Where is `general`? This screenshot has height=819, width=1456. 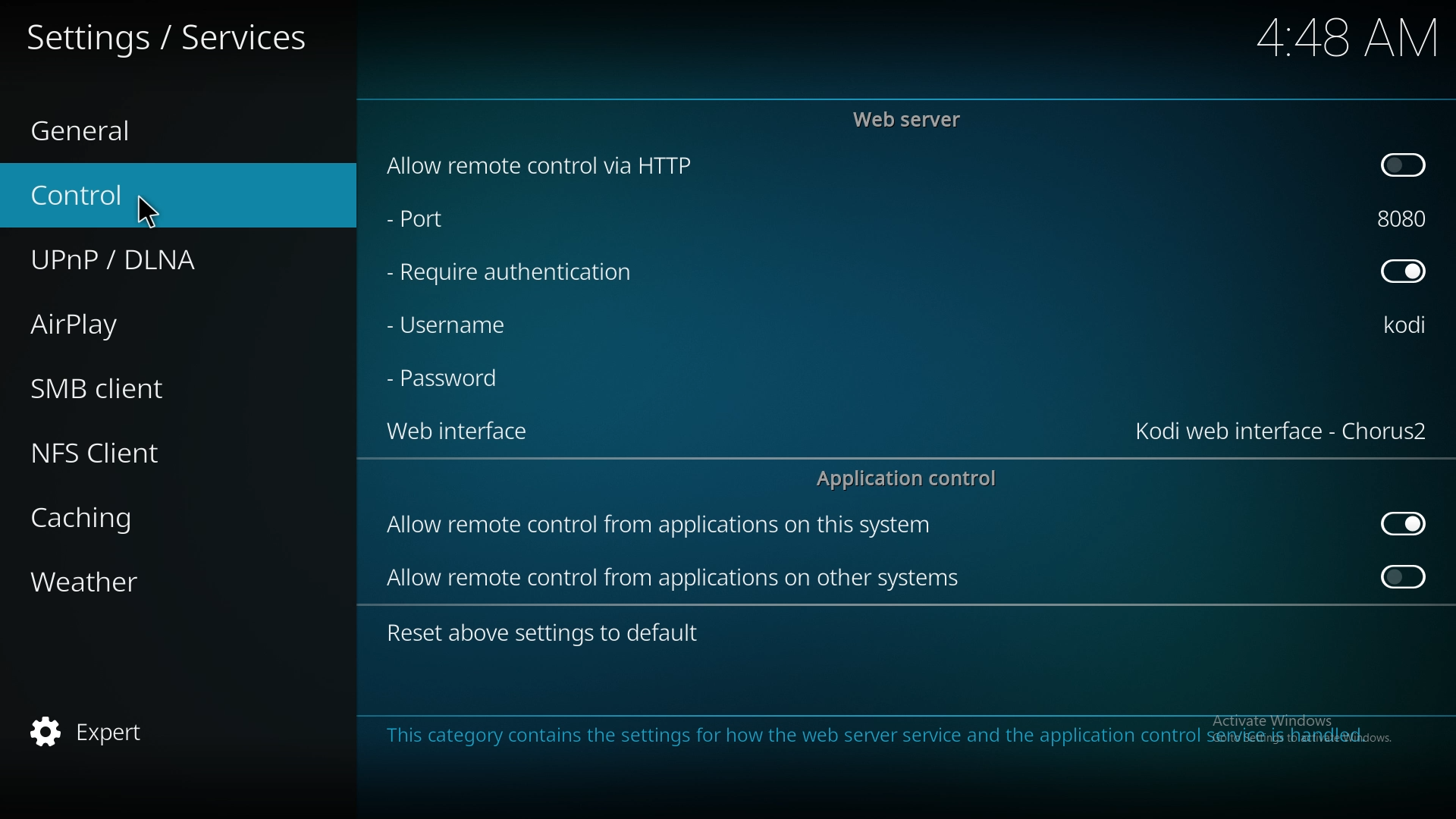 general is located at coordinates (107, 124).